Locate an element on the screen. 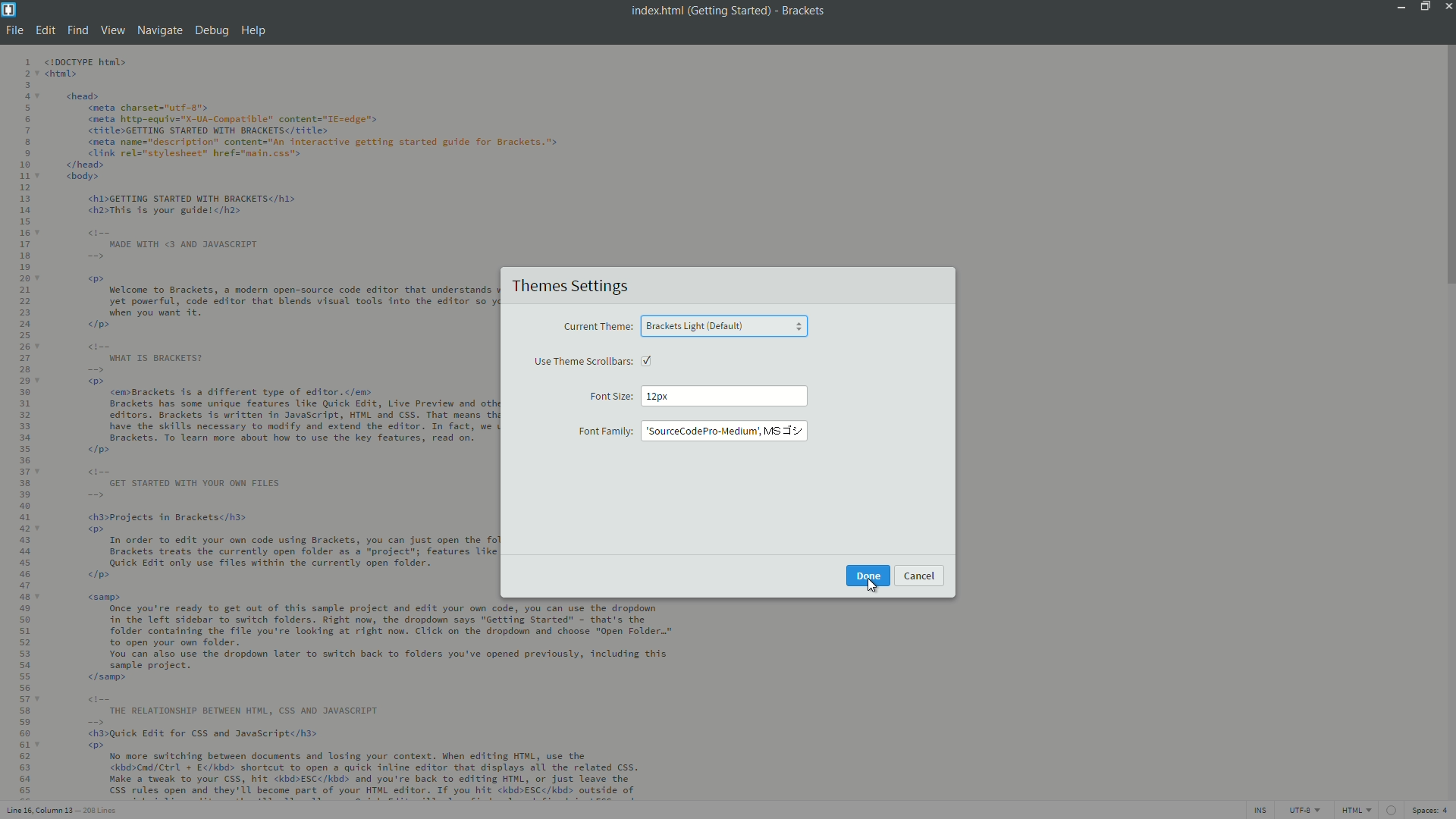 The image size is (1456, 819). font size is located at coordinates (610, 397).